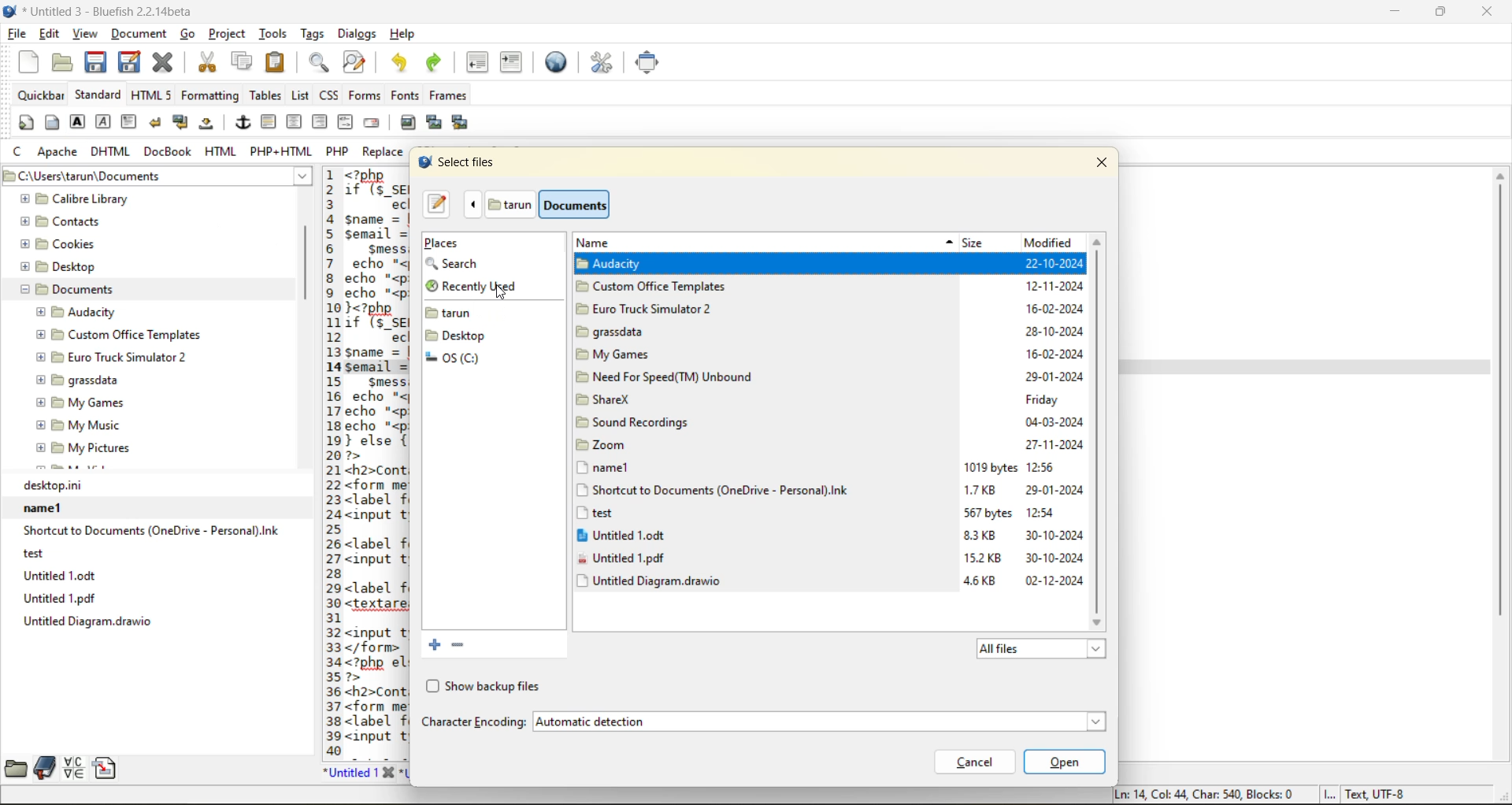 The width and height of the screenshot is (1512, 805). Describe the element at coordinates (321, 64) in the screenshot. I see `find bar` at that location.